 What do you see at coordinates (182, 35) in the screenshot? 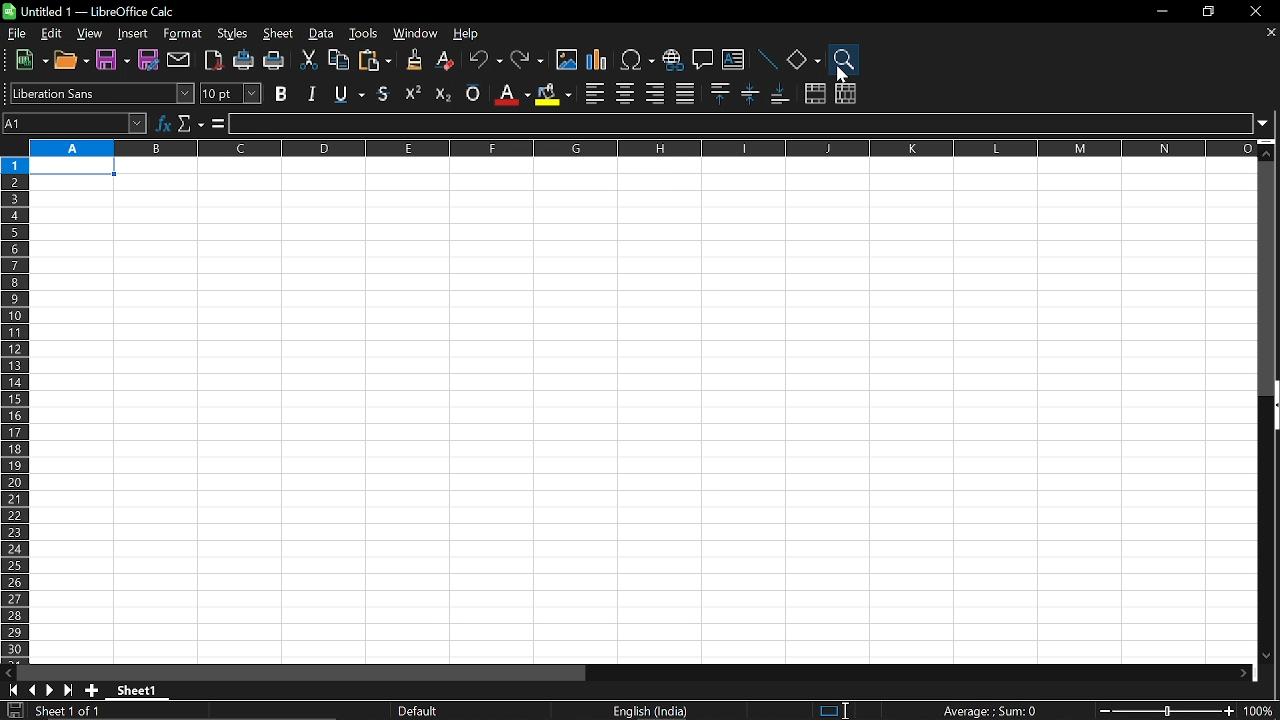
I see `format` at bounding box center [182, 35].